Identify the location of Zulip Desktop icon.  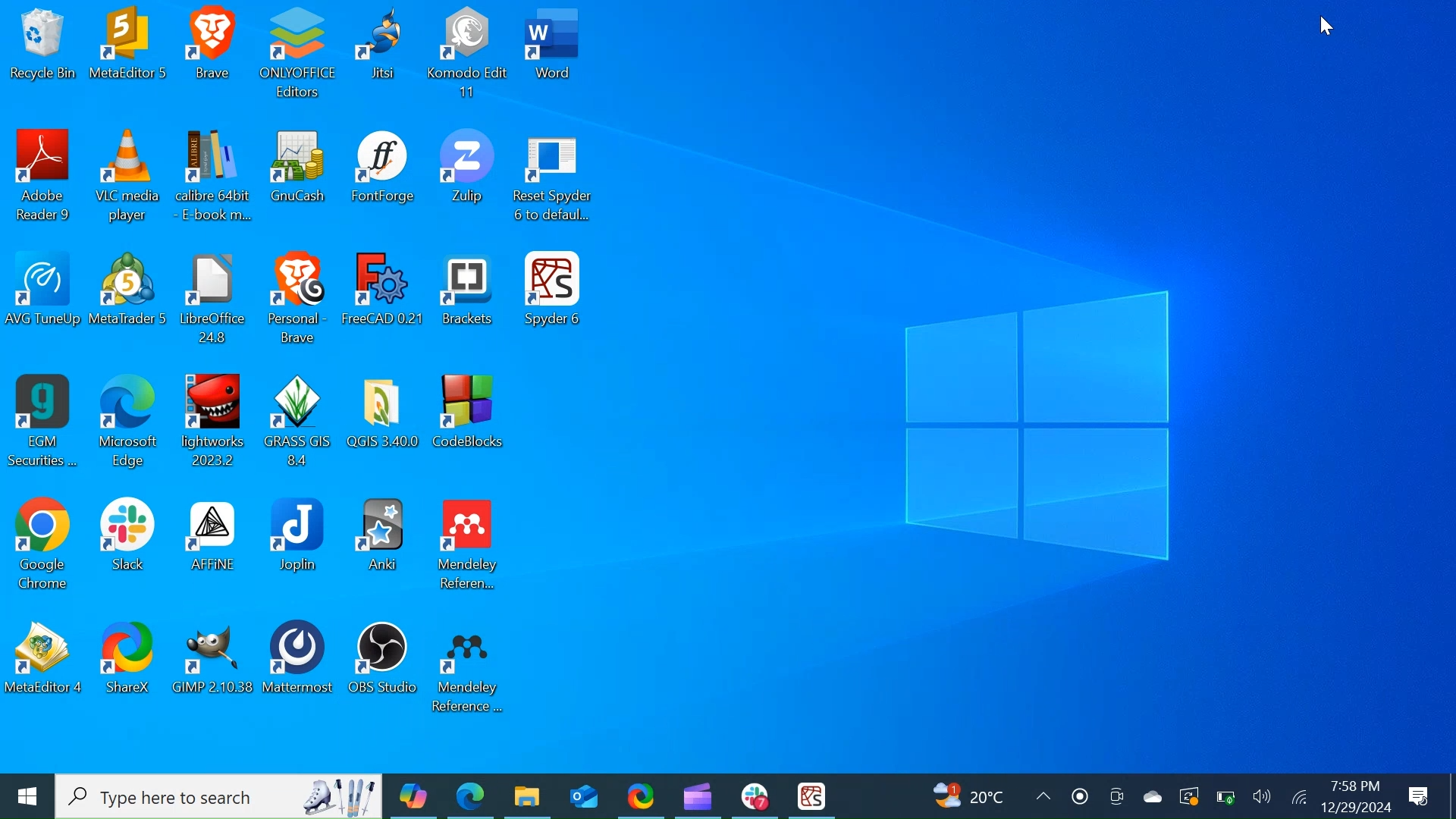
(467, 178).